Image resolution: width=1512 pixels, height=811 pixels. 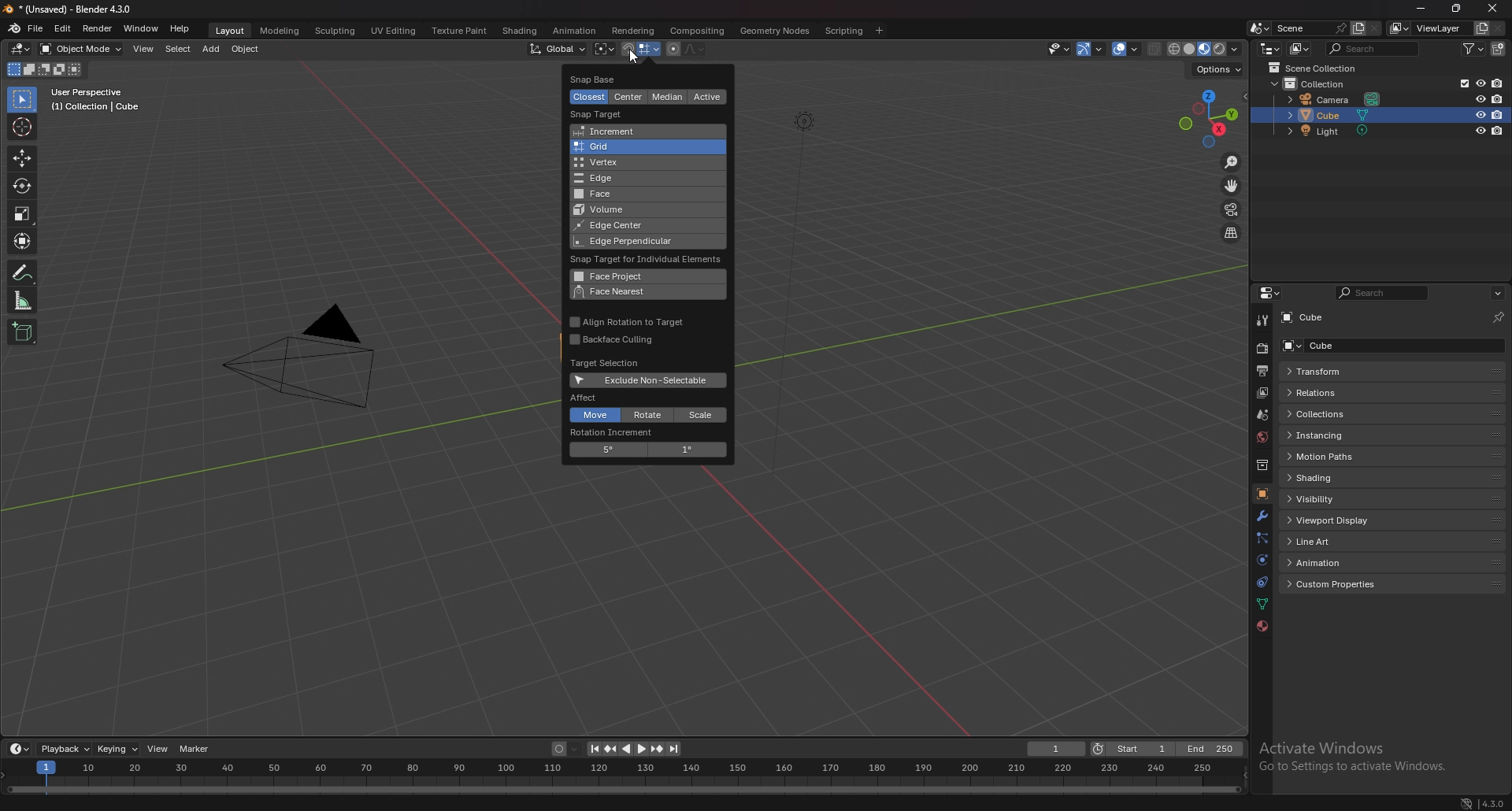 I want to click on start, so click(x=1132, y=749).